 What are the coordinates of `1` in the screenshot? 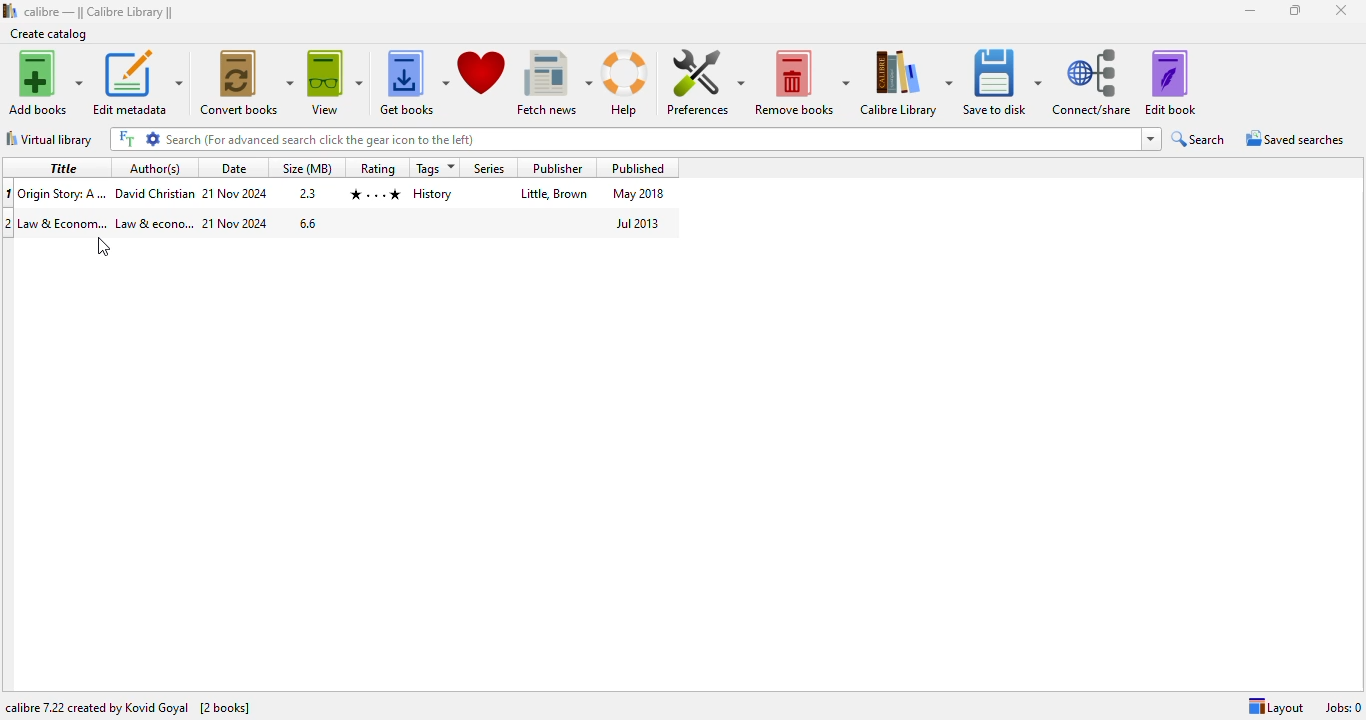 It's located at (9, 192).